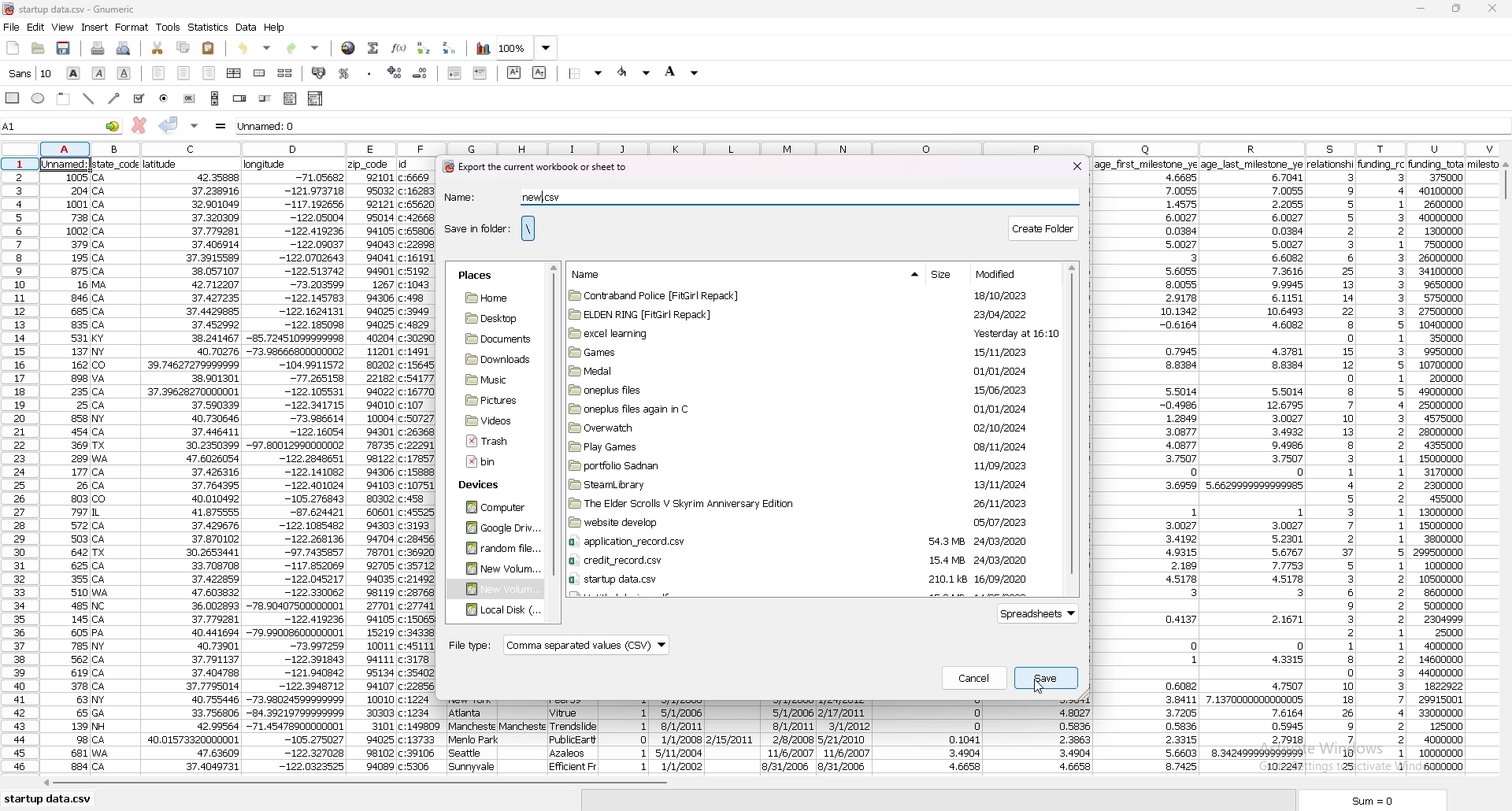  Describe the element at coordinates (901, 275) in the screenshot. I see `show` at that location.